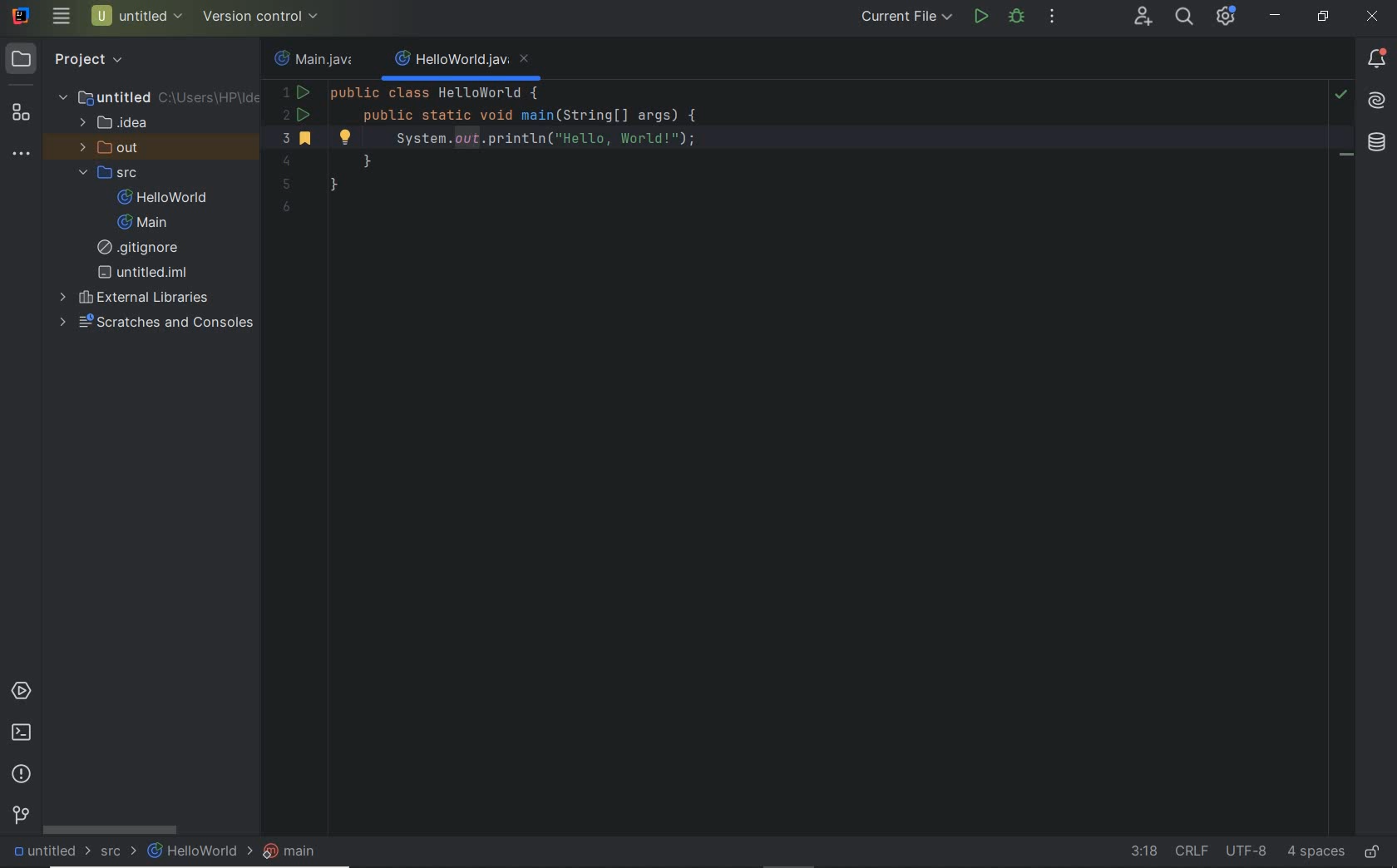 Image resolution: width=1397 pixels, height=868 pixels. I want to click on run, so click(981, 16).